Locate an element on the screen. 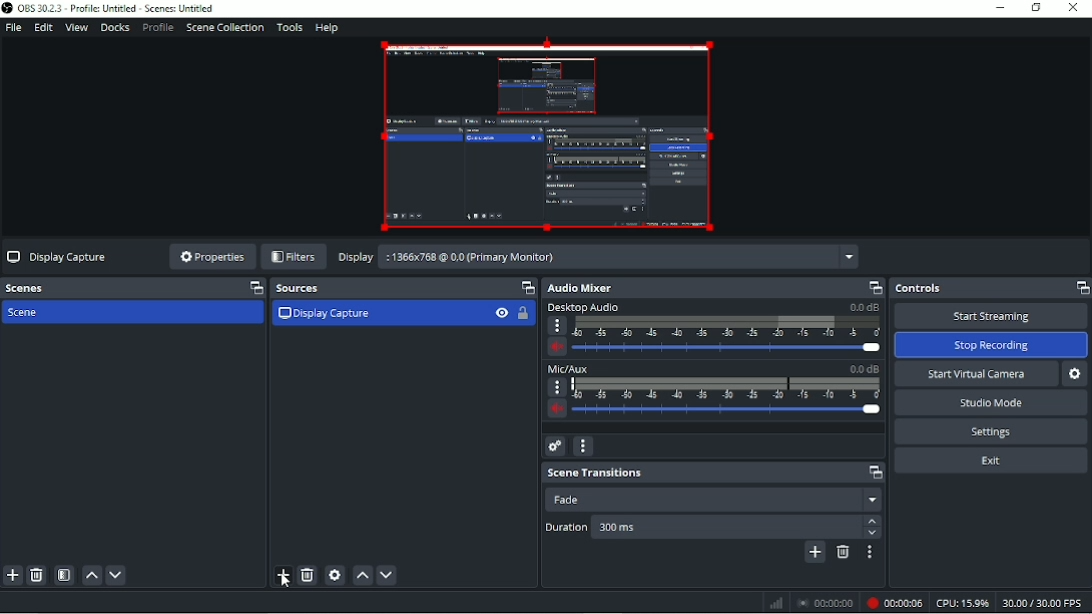  Start streaming is located at coordinates (989, 317).